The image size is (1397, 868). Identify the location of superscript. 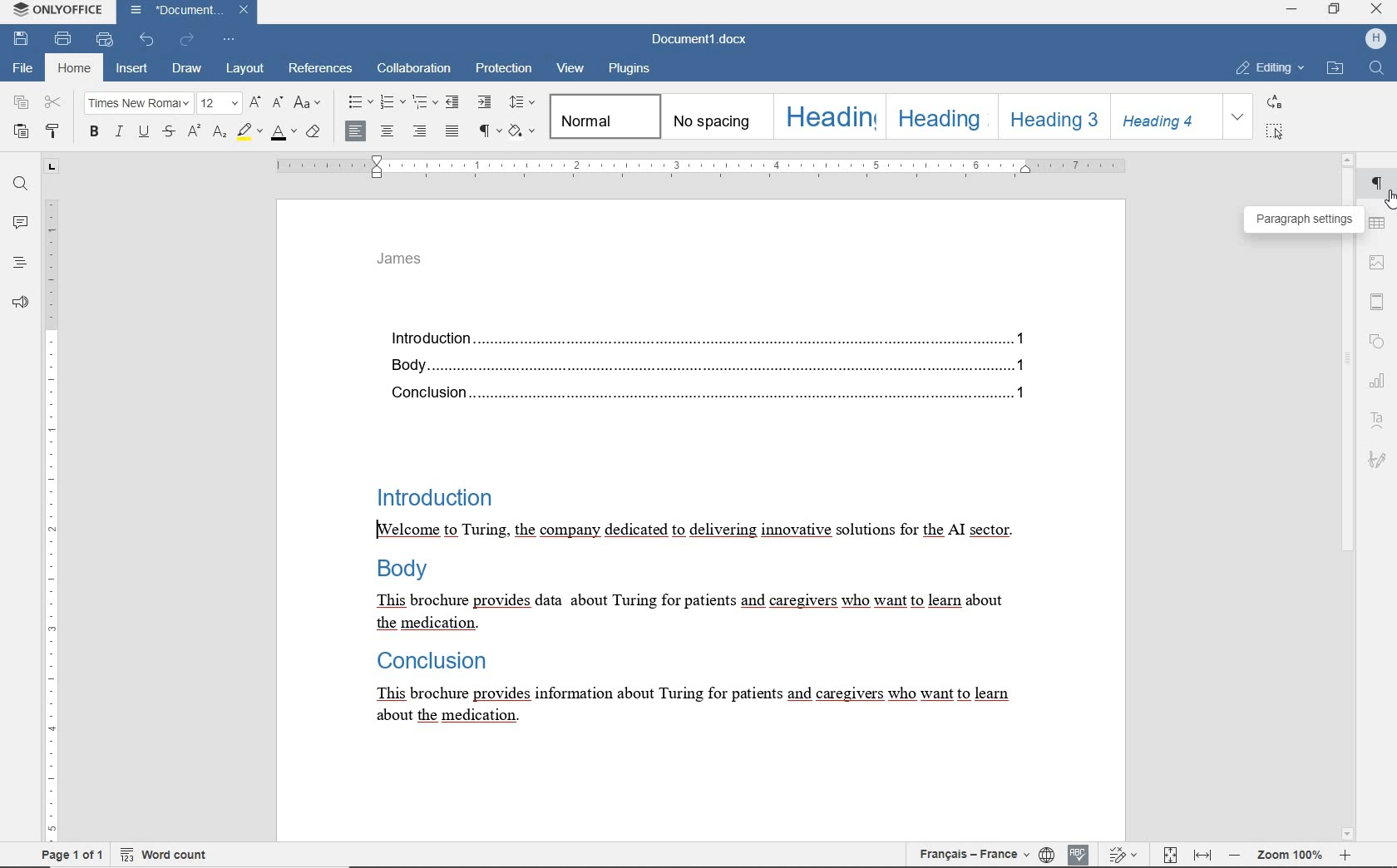
(195, 133).